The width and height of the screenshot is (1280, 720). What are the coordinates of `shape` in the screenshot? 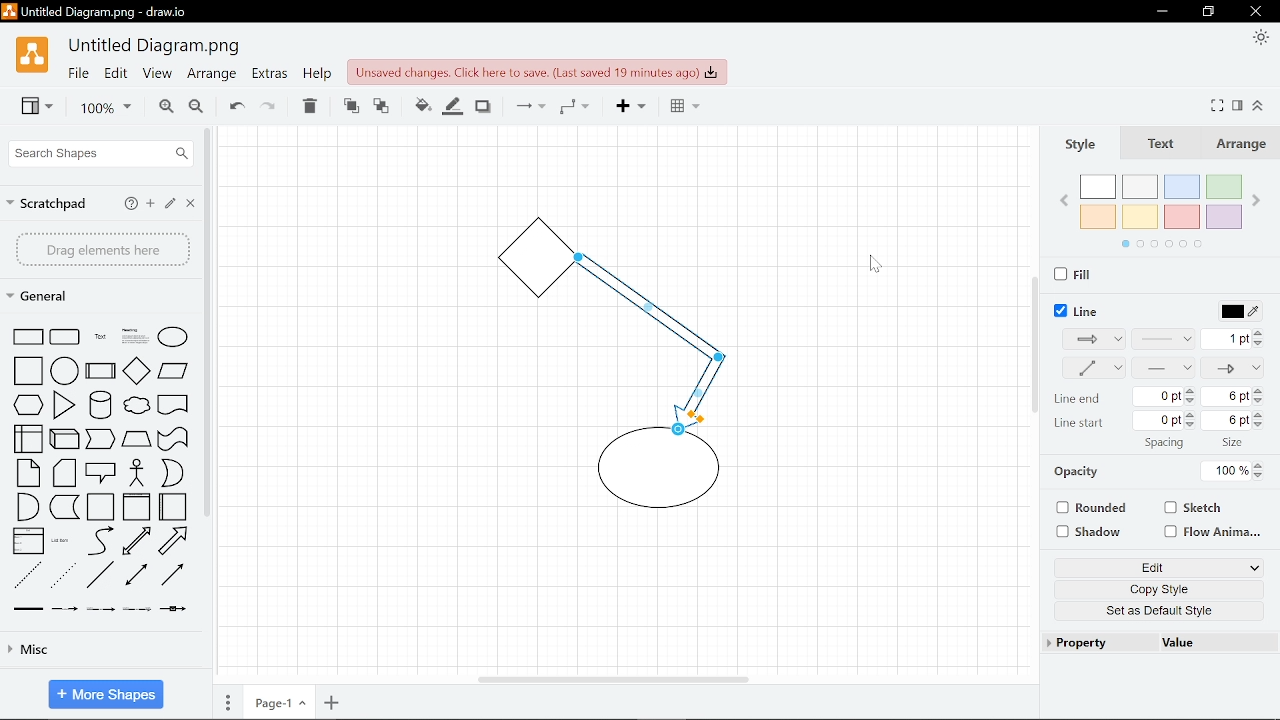 It's located at (136, 336).